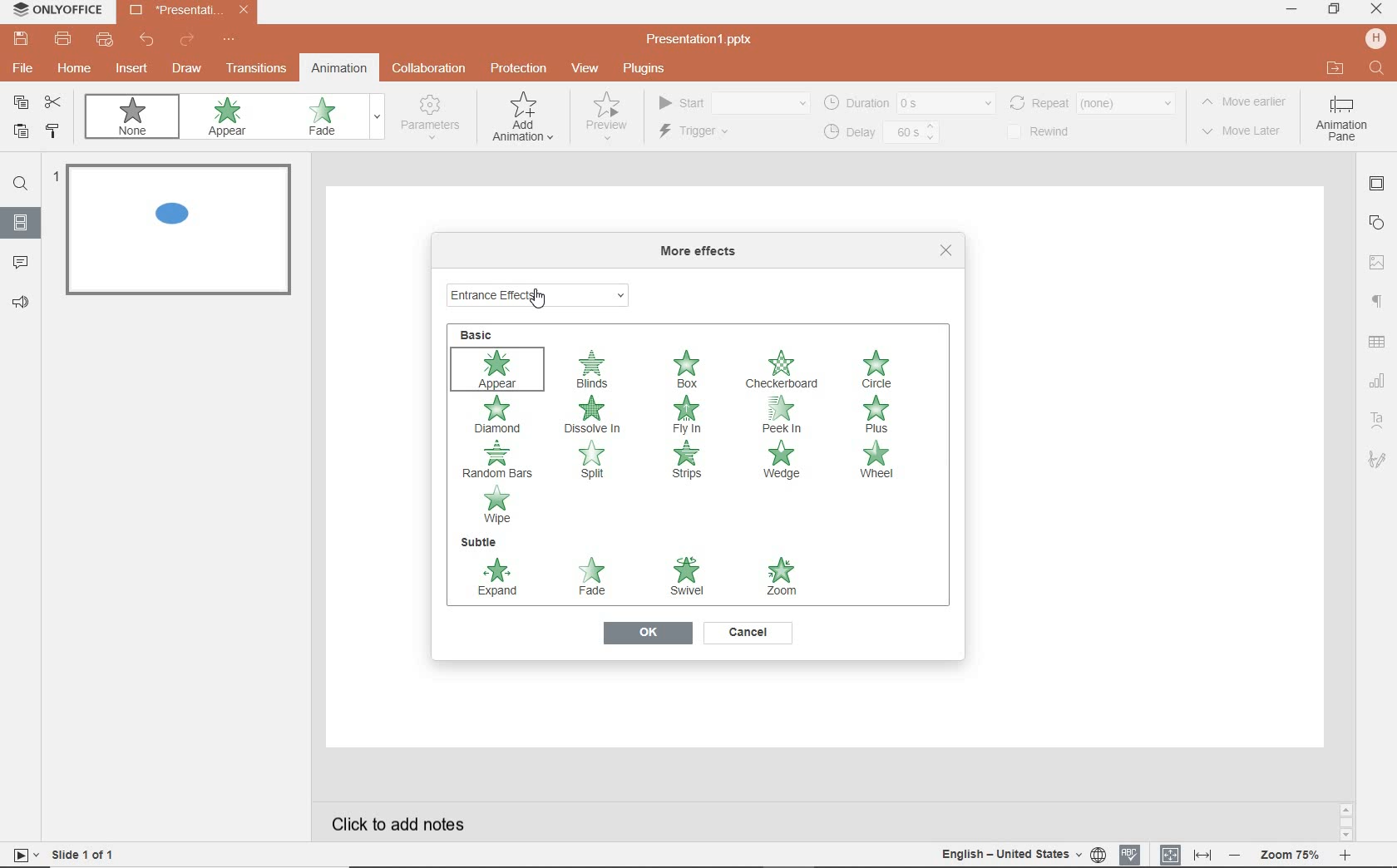  I want to click on CLOSE, so click(946, 250).